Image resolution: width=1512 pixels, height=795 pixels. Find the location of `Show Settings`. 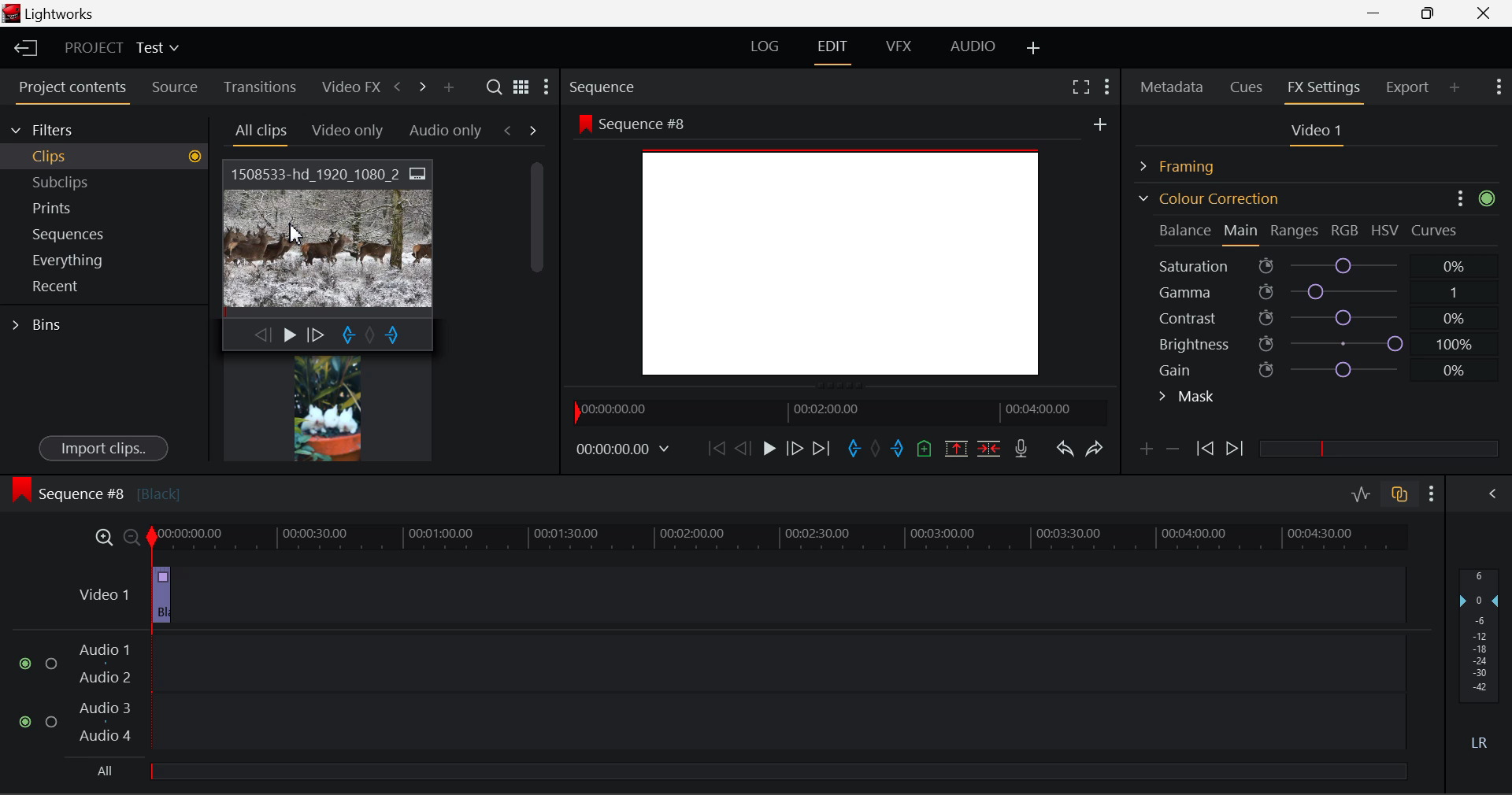

Show Settings is located at coordinates (1432, 494).